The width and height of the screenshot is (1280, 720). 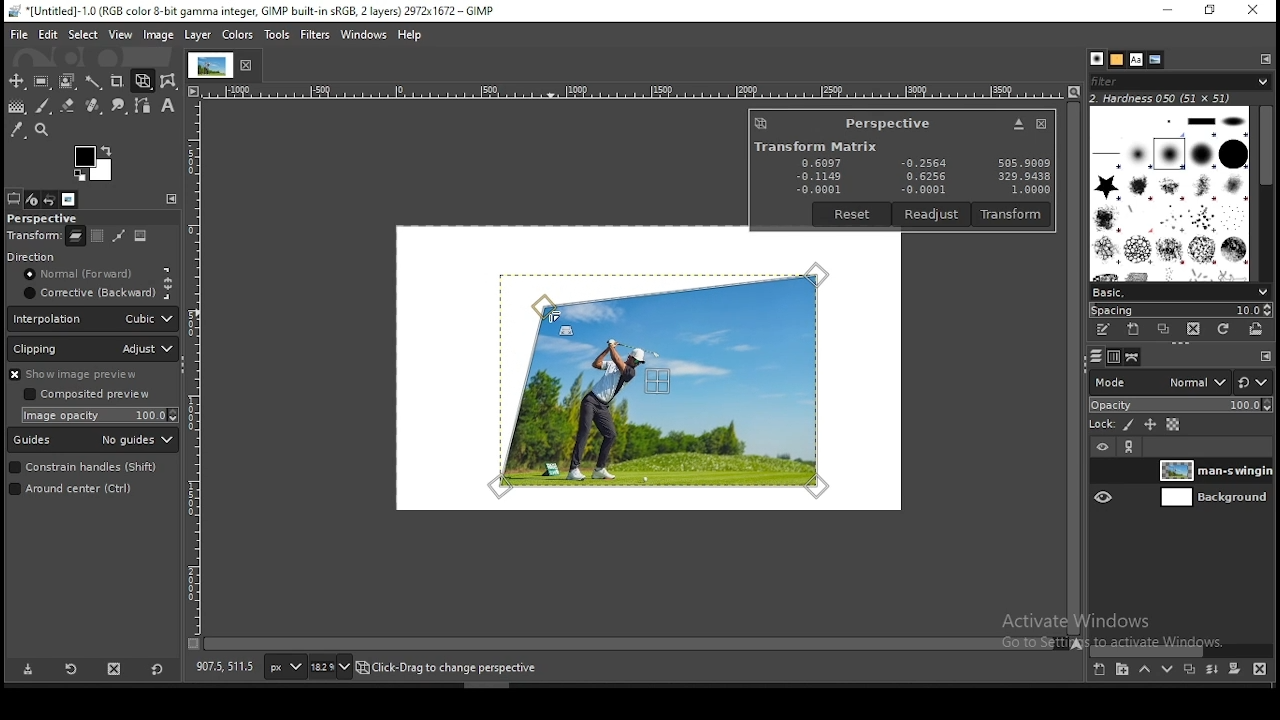 What do you see at coordinates (1267, 59) in the screenshot?
I see `configure this tab` at bounding box center [1267, 59].